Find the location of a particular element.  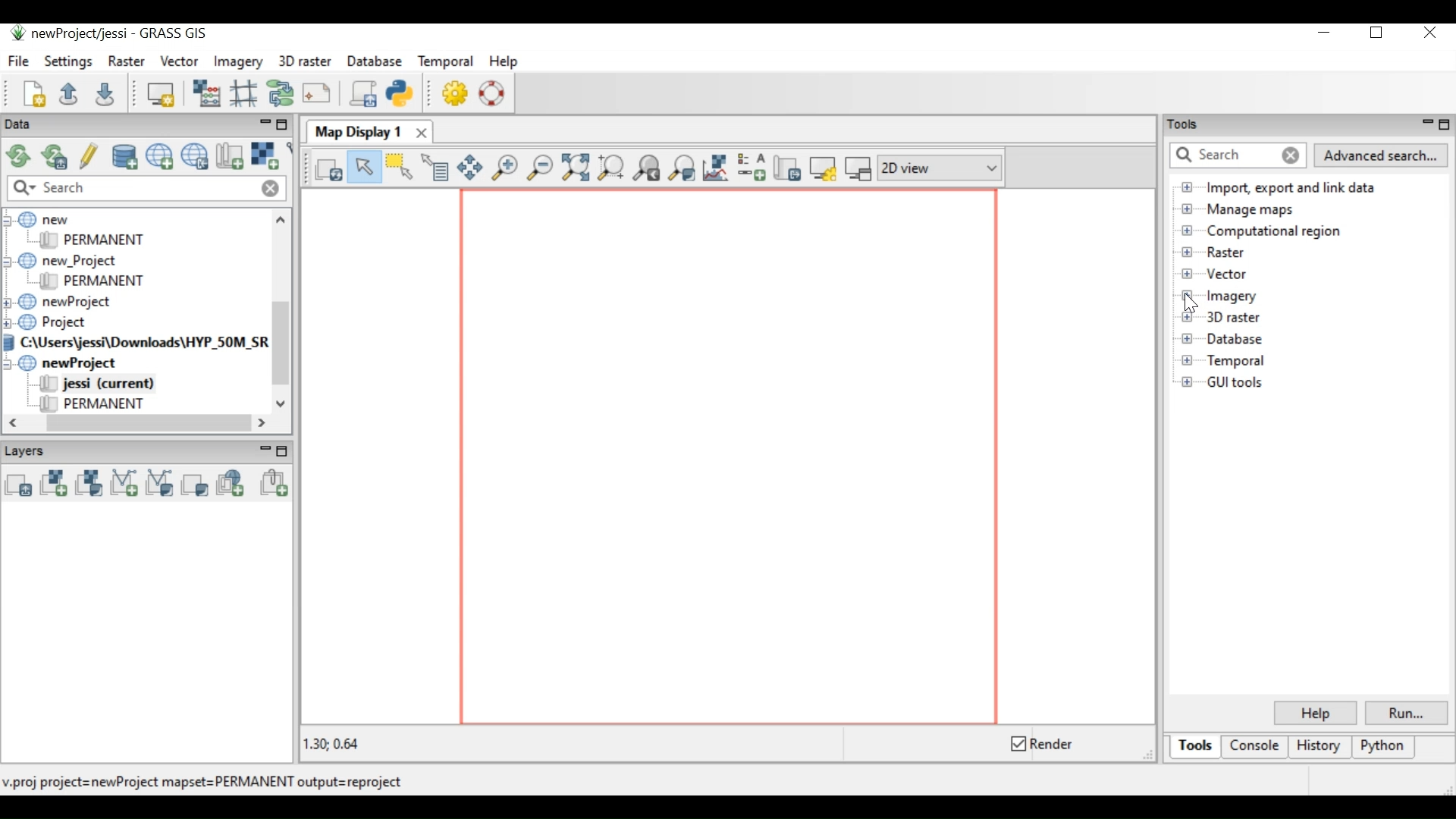

Tools is located at coordinates (1285, 124).